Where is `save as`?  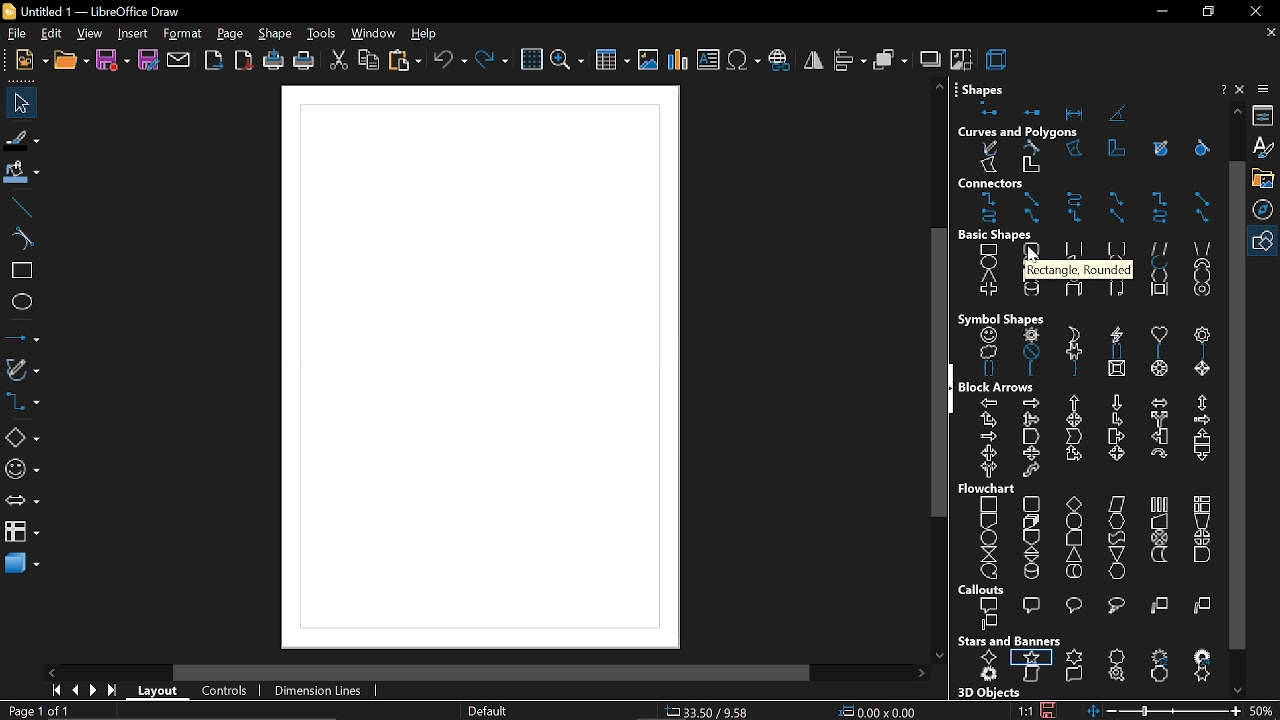
save as is located at coordinates (149, 61).